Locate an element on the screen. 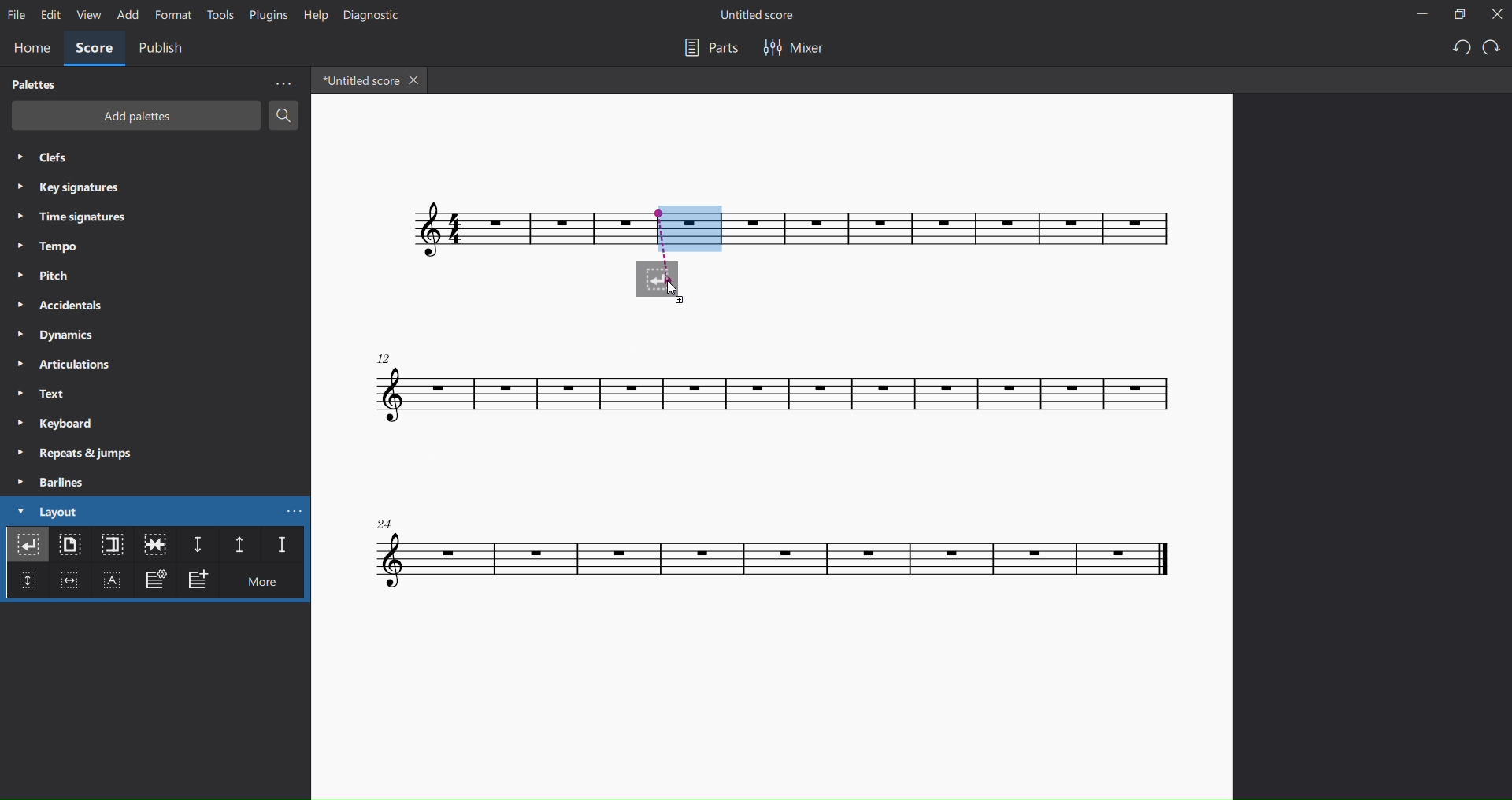  tools is located at coordinates (218, 16).